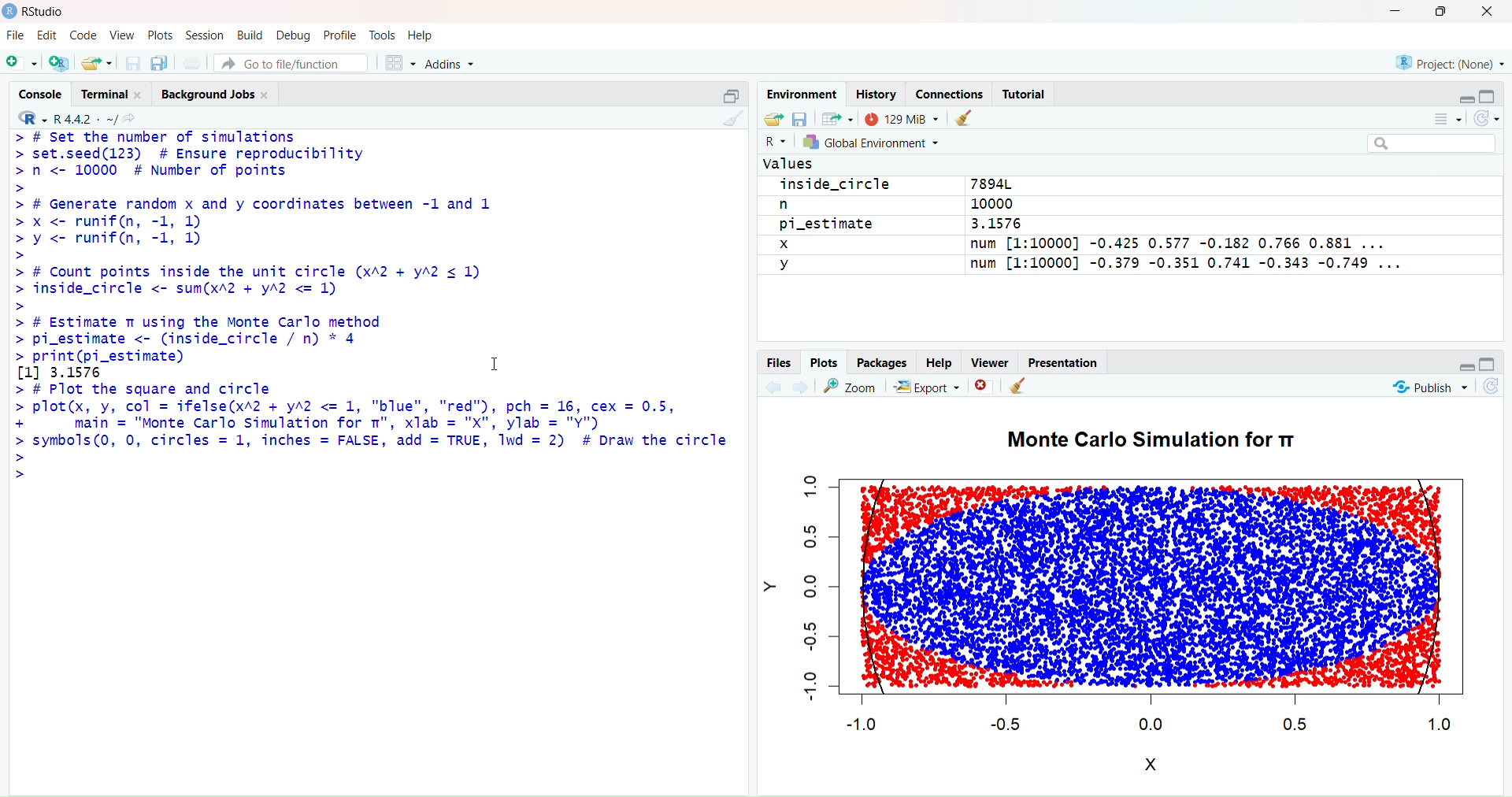  I want to click on Create a project, so click(62, 61).